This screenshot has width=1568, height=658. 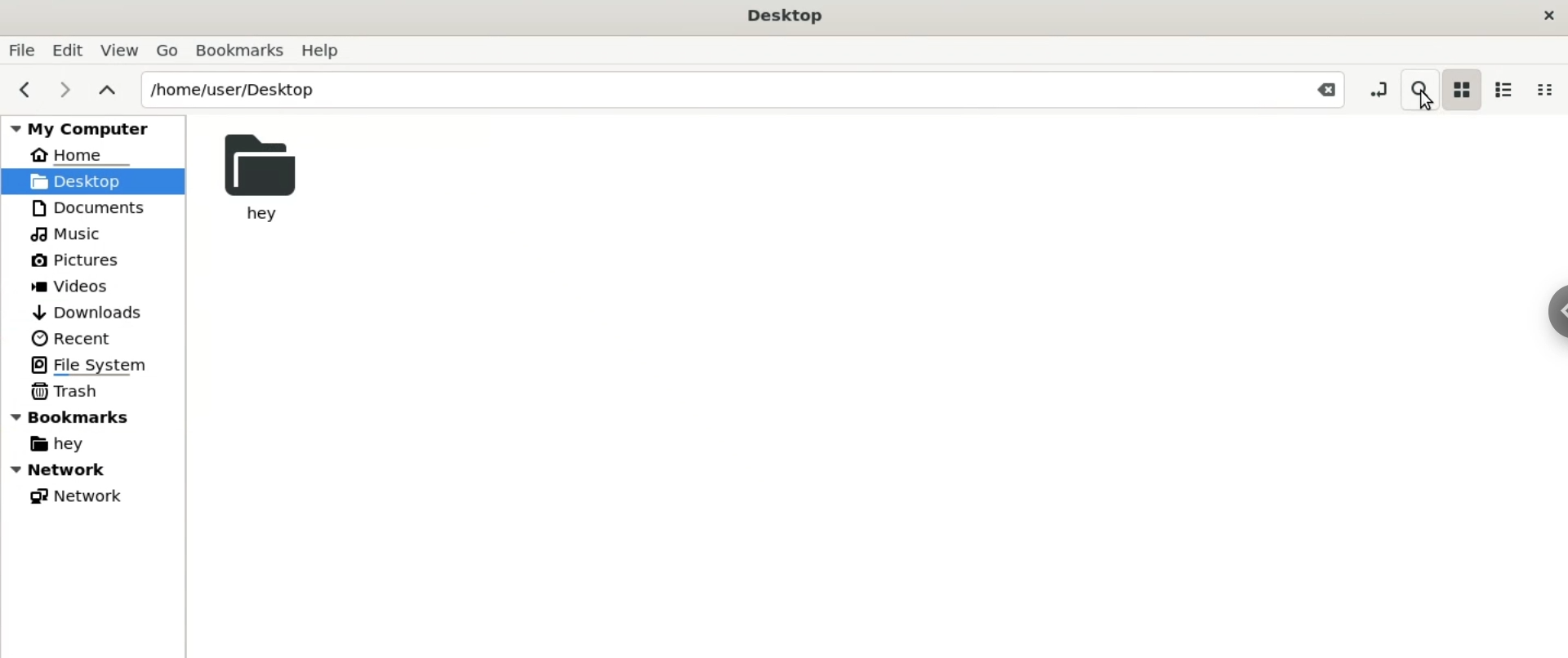 What do you see at coordinates (55, 444) in the screenshot?
I see `hey` at bounding box center [55, 444].